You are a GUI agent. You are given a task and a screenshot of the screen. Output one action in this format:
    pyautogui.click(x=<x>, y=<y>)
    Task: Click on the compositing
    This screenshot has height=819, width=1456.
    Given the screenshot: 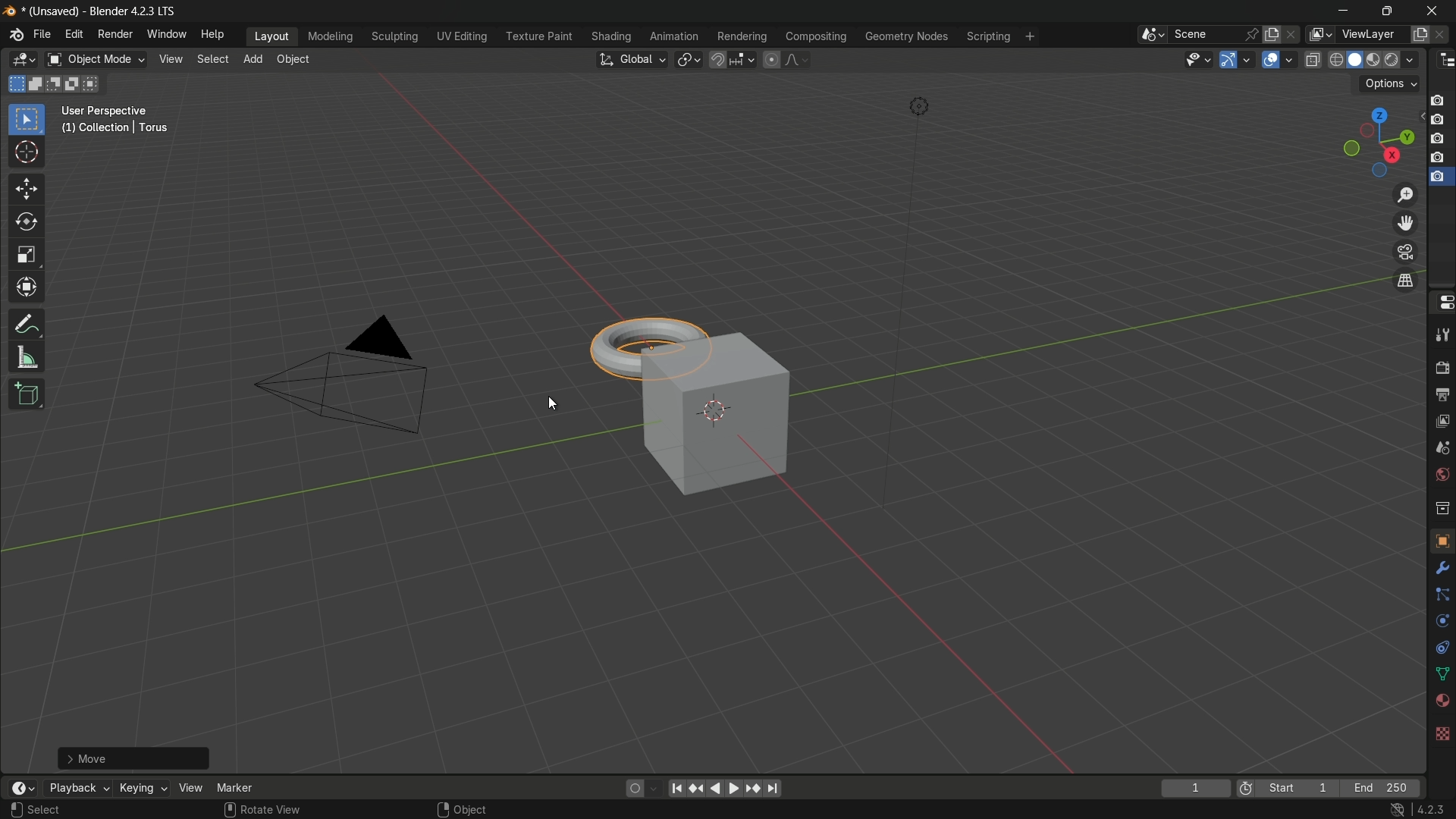 What is the action you would take?
    pyautogui.click(x=816, y=36)
    